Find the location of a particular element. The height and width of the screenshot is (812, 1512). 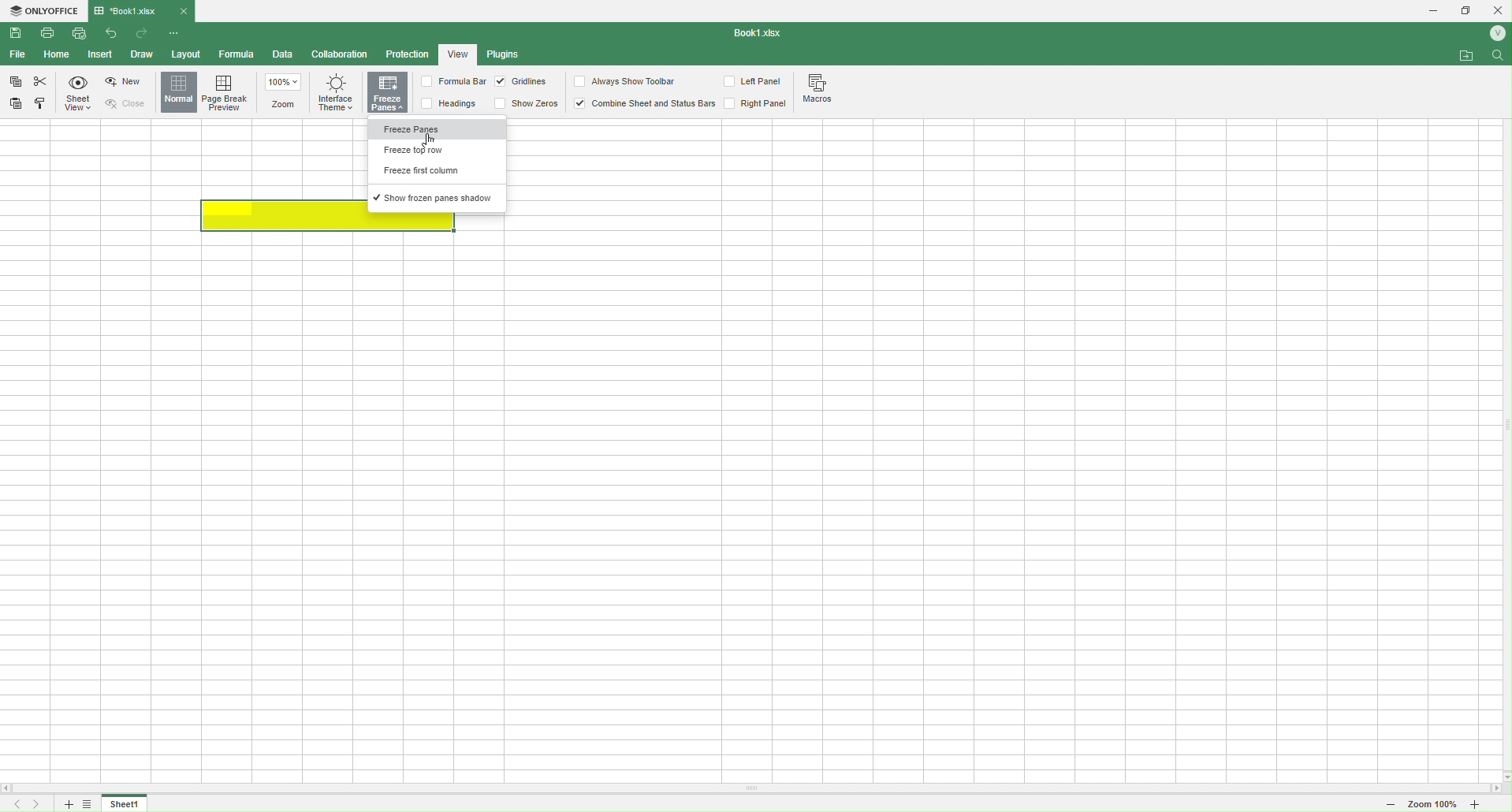

Minimize is located at coordinates (1428, 11).